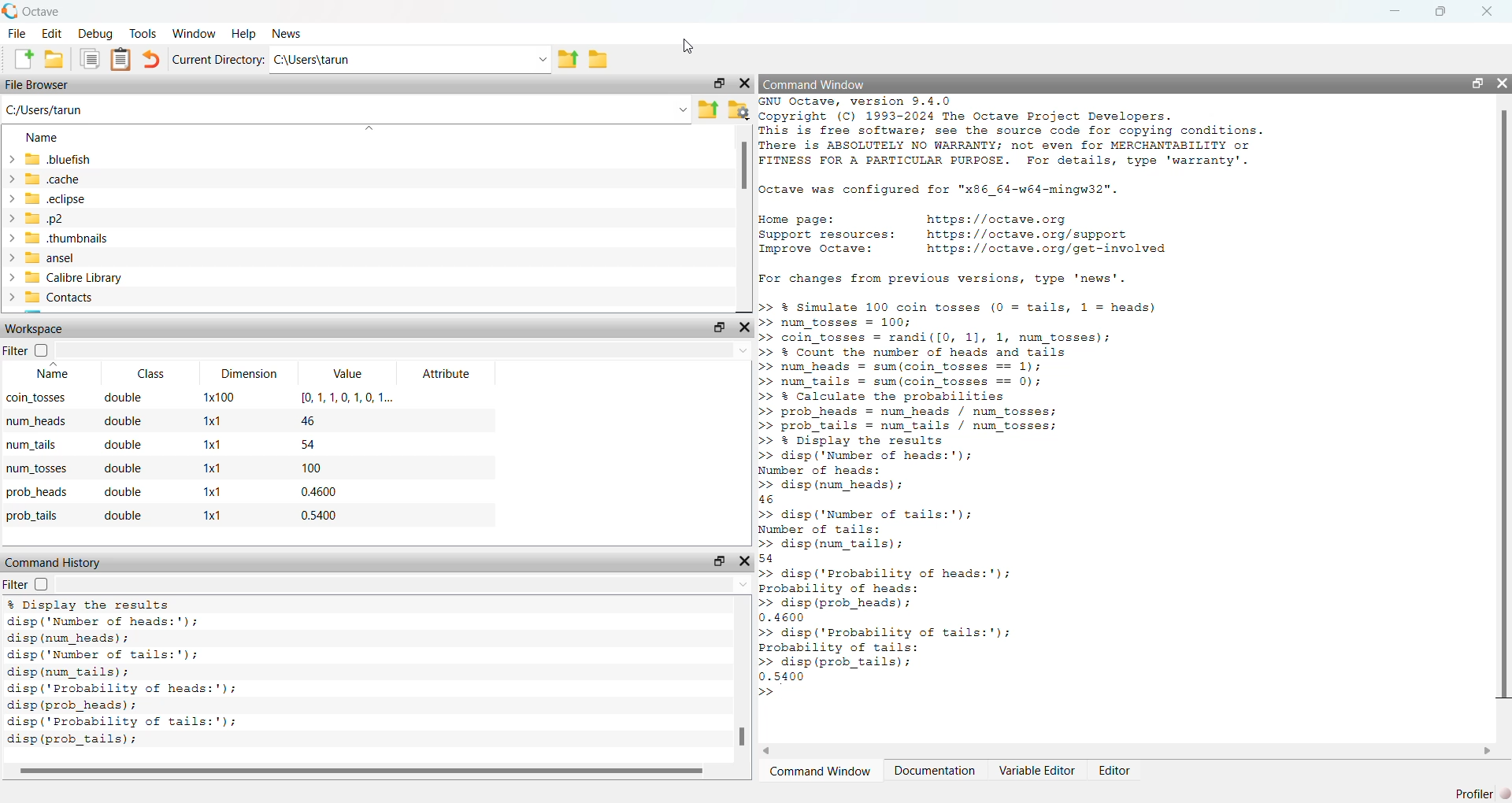 The width and height of the screenshot is (1512, 803). What do you see at coordinates (445, 373) in the screenshot?
I see `Attribute` at bounding box center [445, 373].